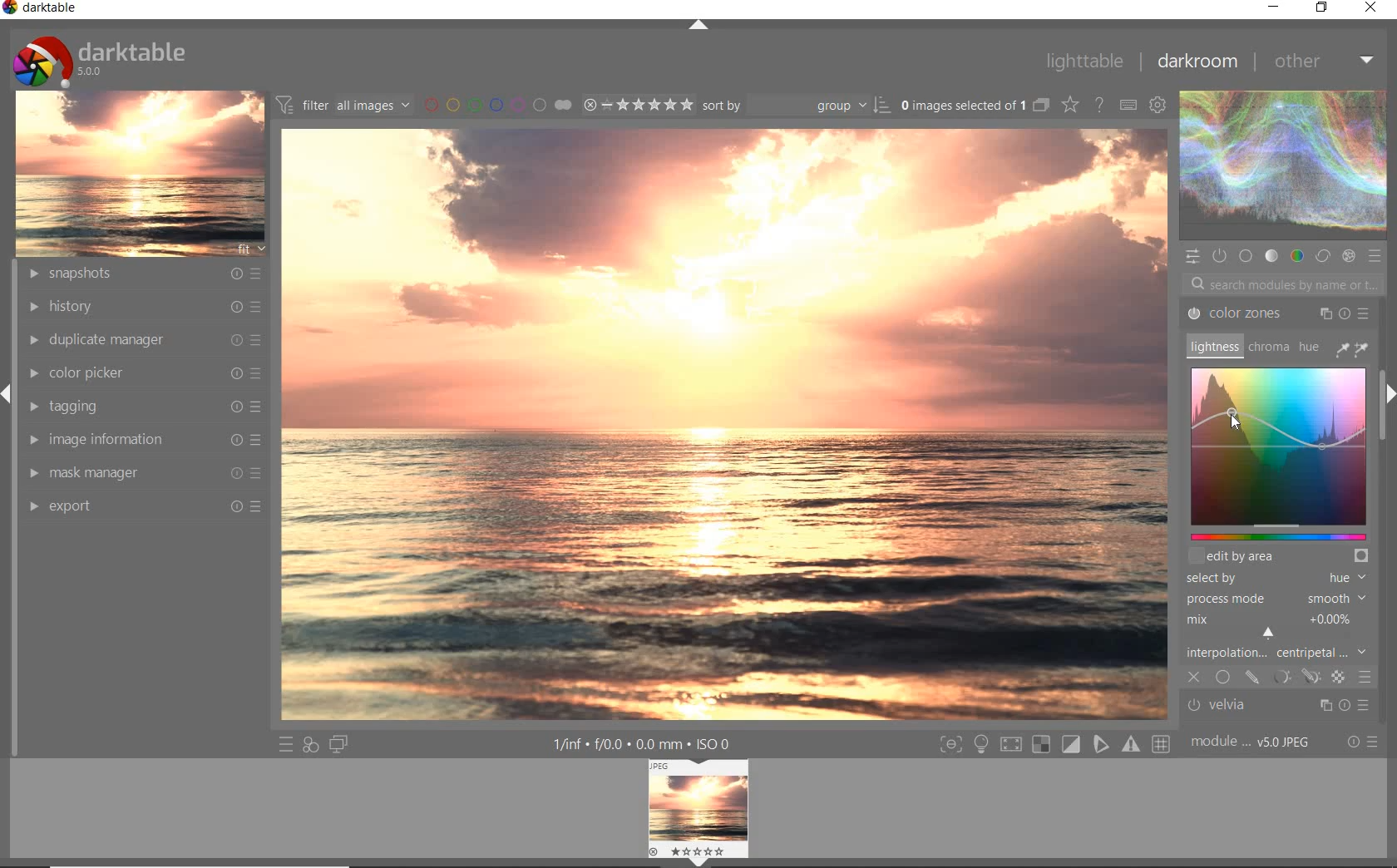  What do you see at coordinates (1363, 742) in the screenshot?
I see `RESET OR PRESET &PREFERENCE` at bounding box center [1363, 742].